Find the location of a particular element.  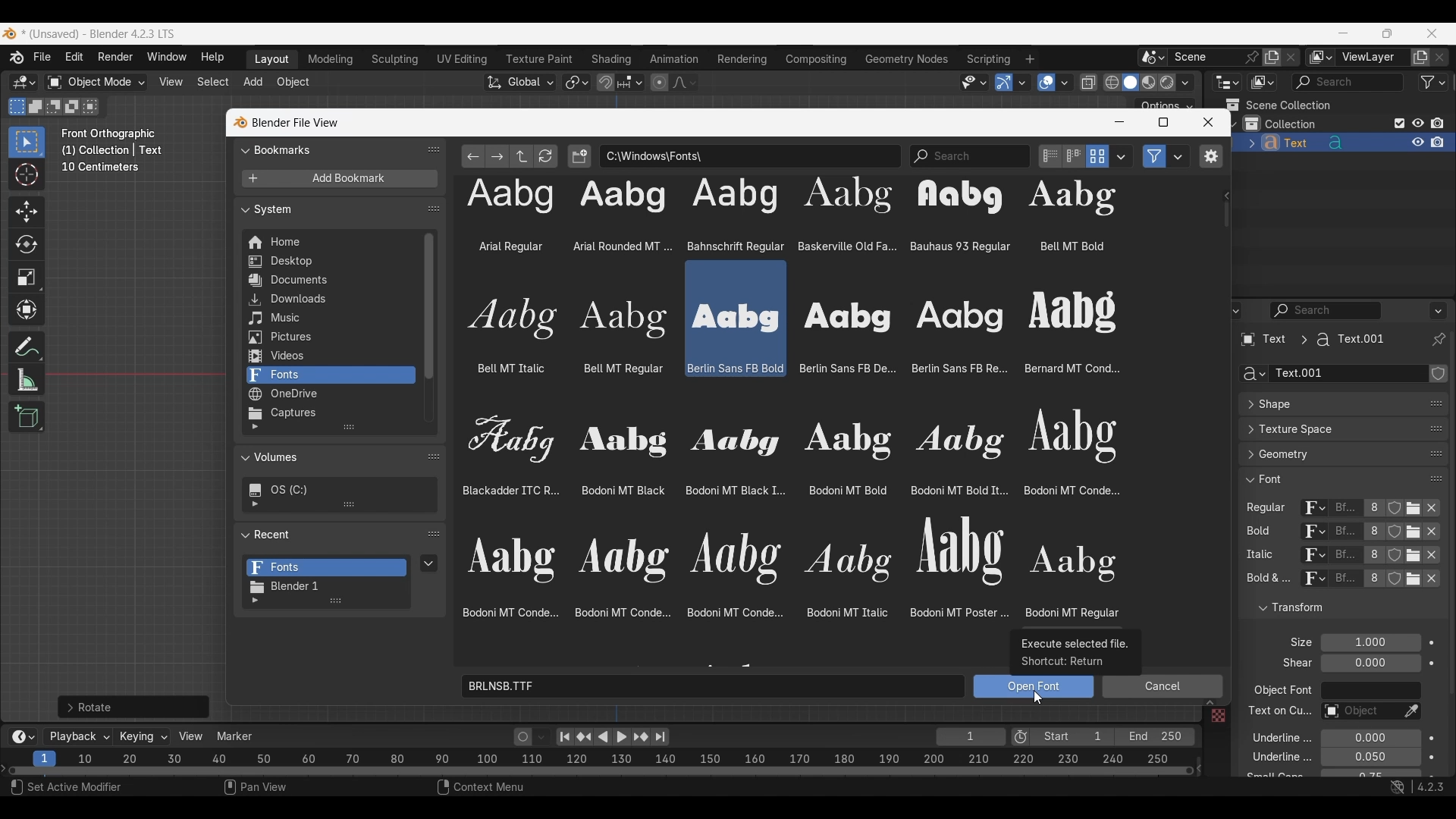

Small caps is located at coordinates (1370, 773).